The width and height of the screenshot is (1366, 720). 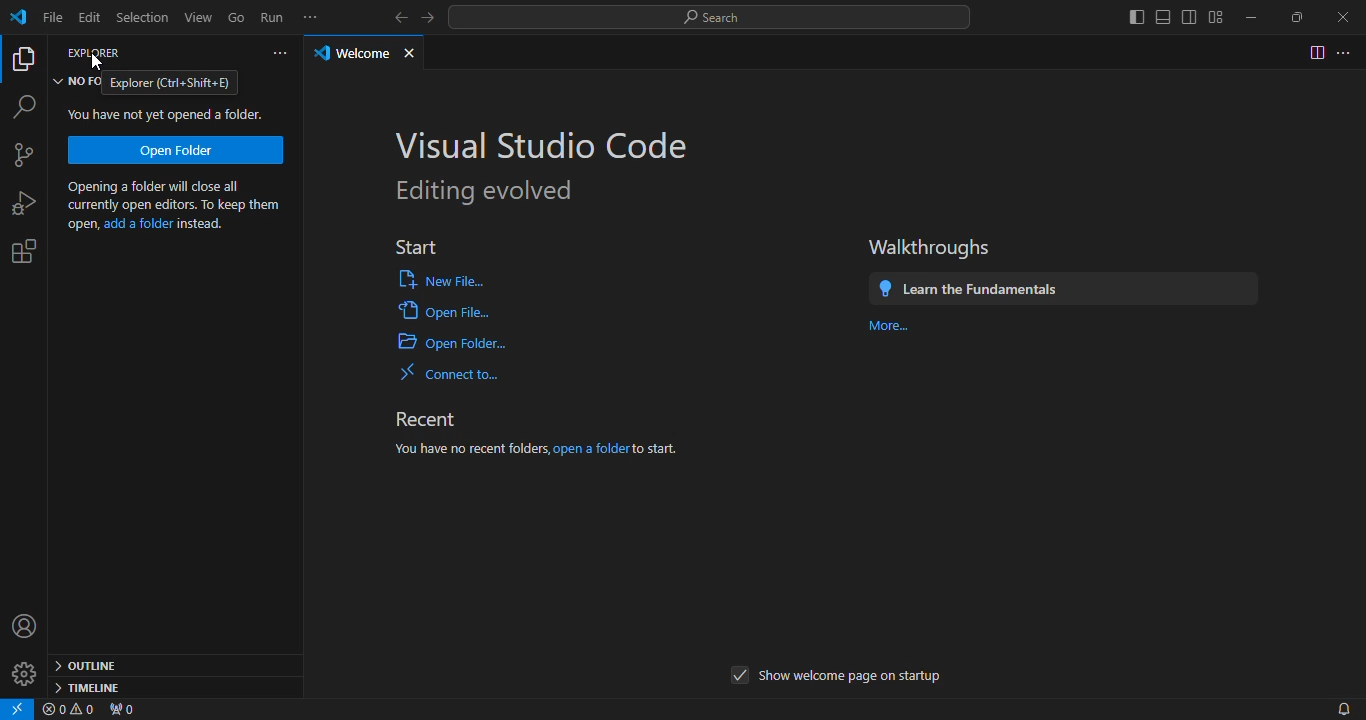 What do you see at coordinates (23, 255) in the screenshot?
I see `settings` at bounding box center [23, 255].